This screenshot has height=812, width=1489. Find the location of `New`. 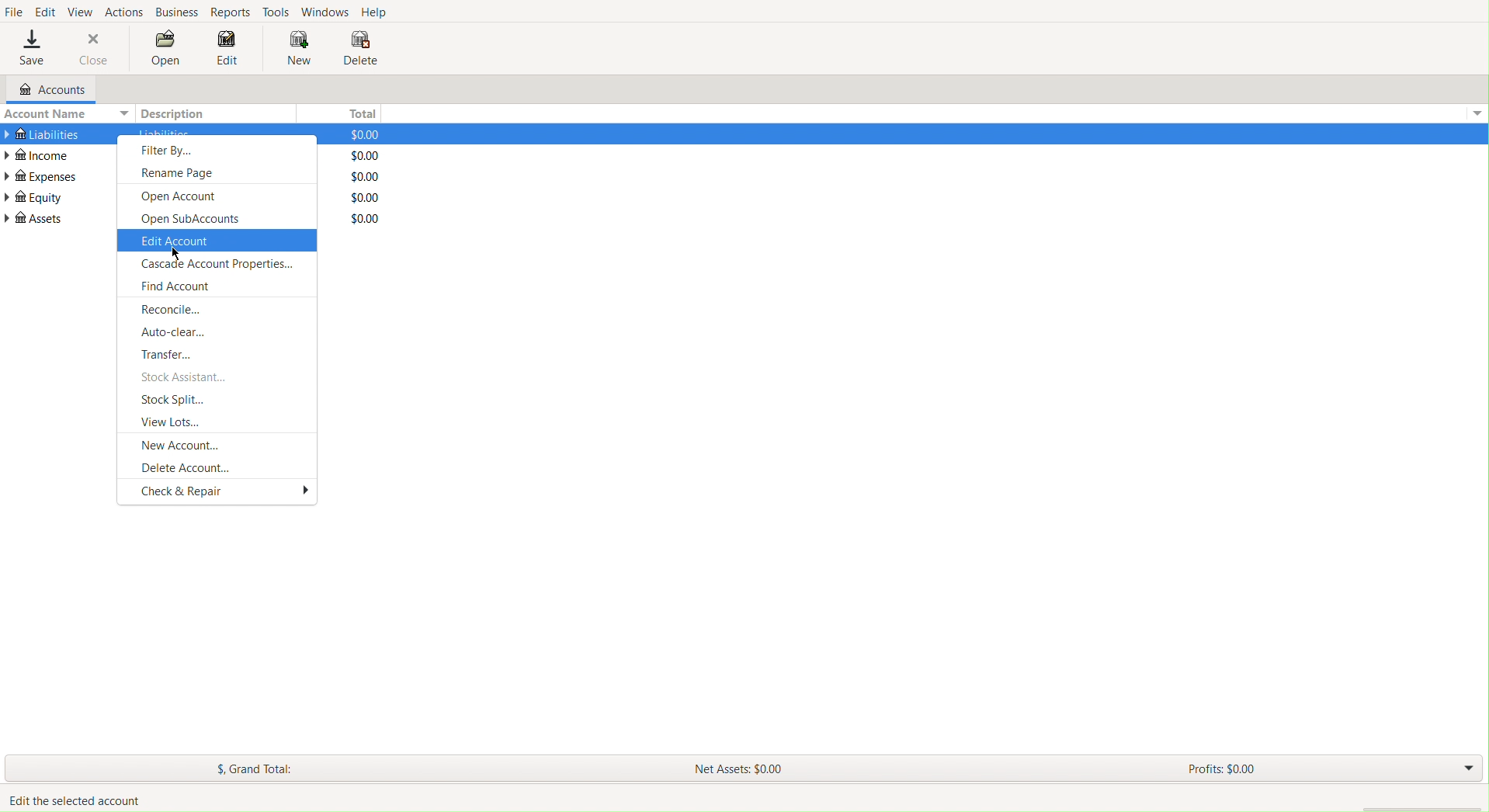

New is located at coordinates (292, 48).